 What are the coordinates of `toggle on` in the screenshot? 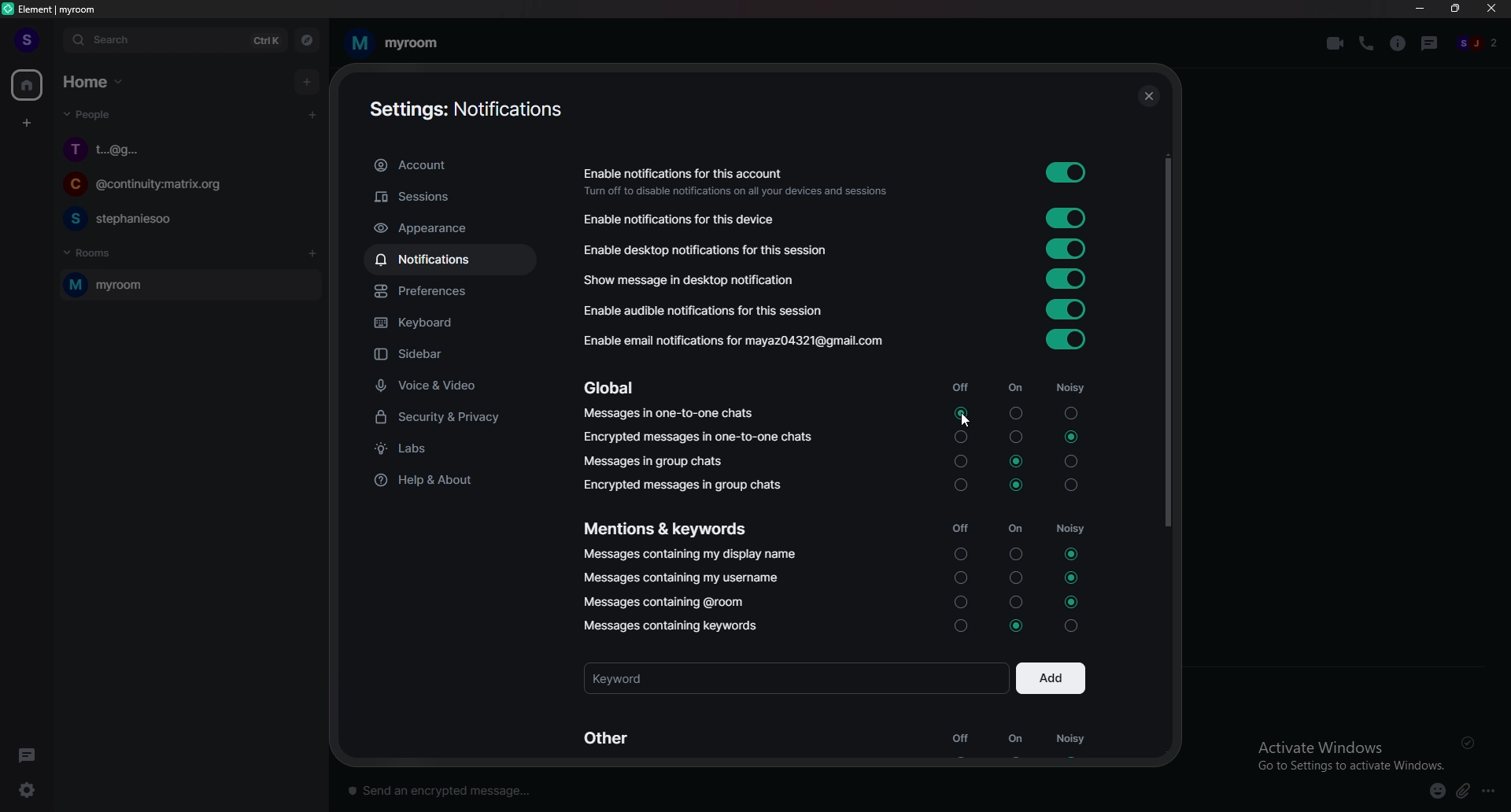 It's located at (962, 413).